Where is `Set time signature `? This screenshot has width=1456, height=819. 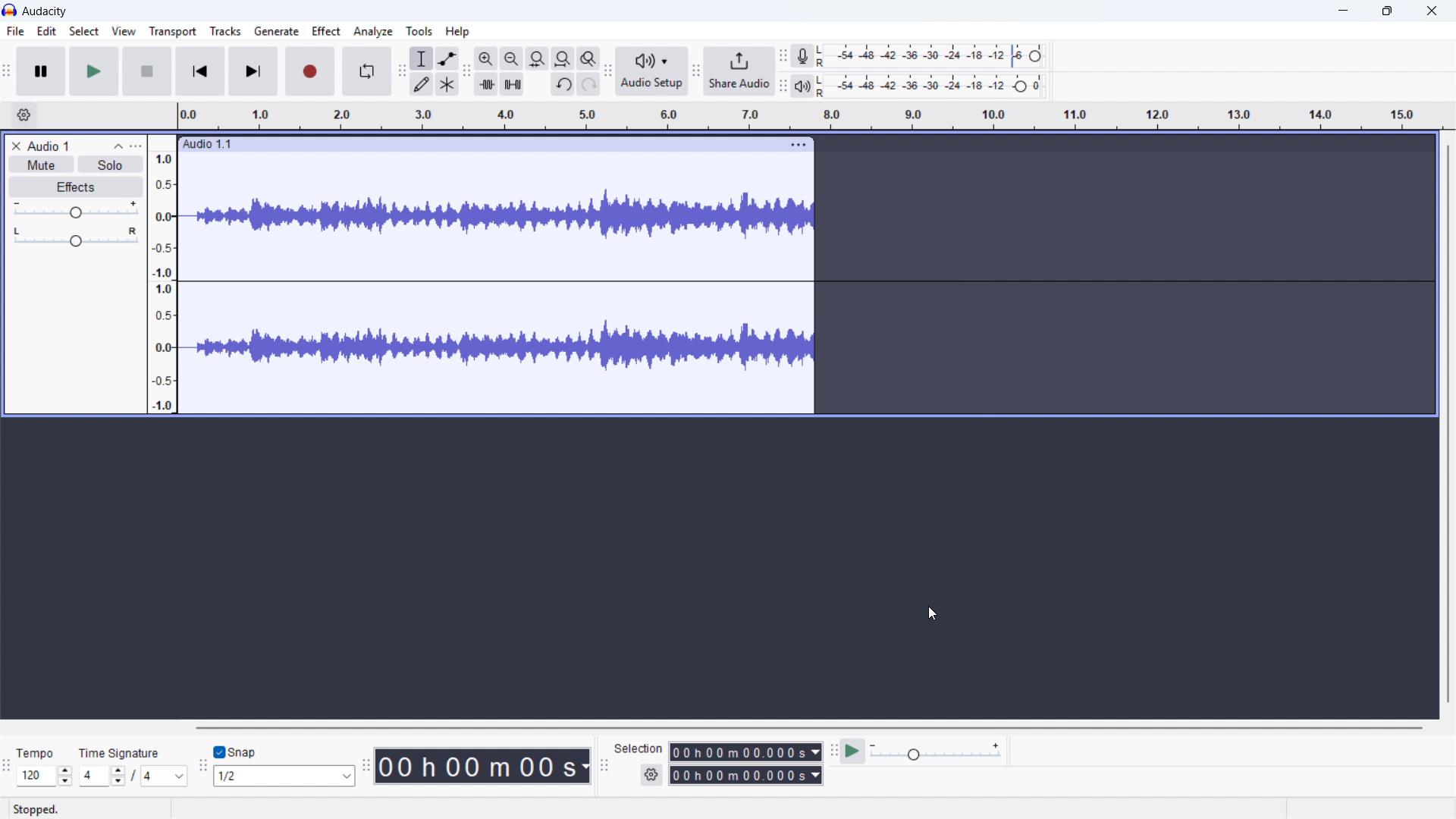 Set time signature  is located at coordinates (104, 777).